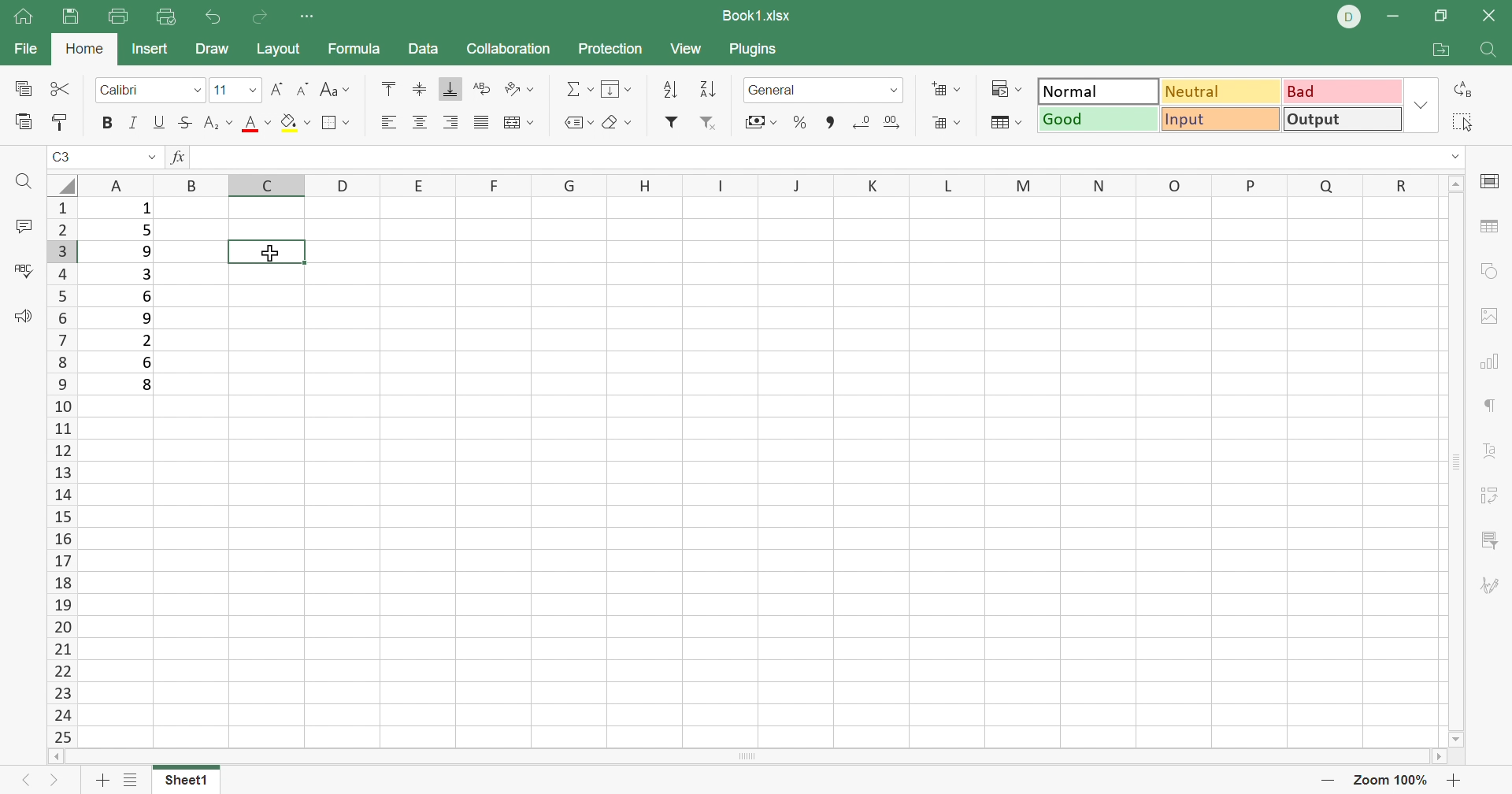 Image resolution: width=1512 pixels, height=794 pixels. Describe the element at coordinates (27, 88) in the screenshot. I see `Copy` at that location.